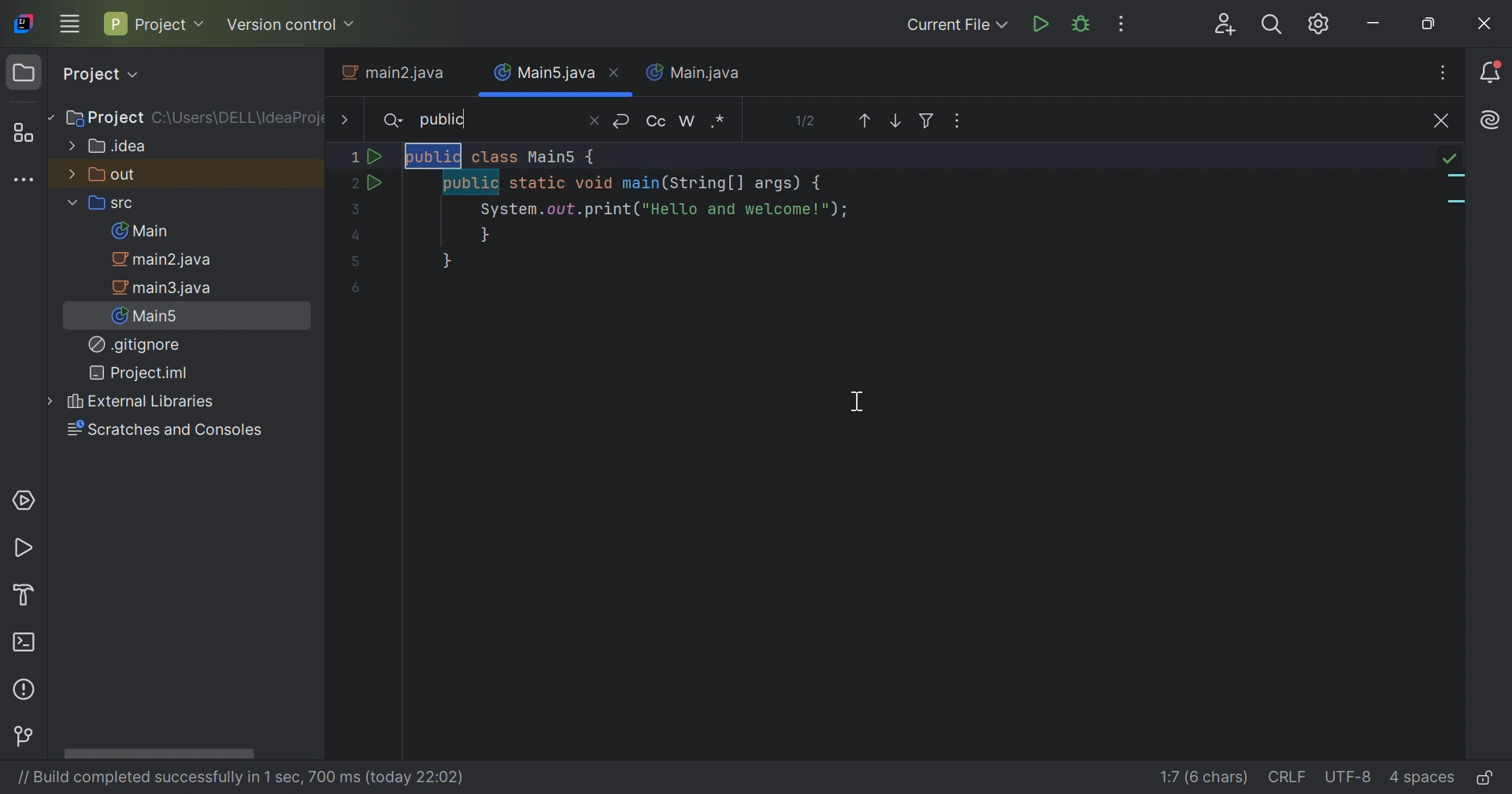  Describe the element at coordinates (1207, 775) in the screenshot. I see `go to line` at that location.